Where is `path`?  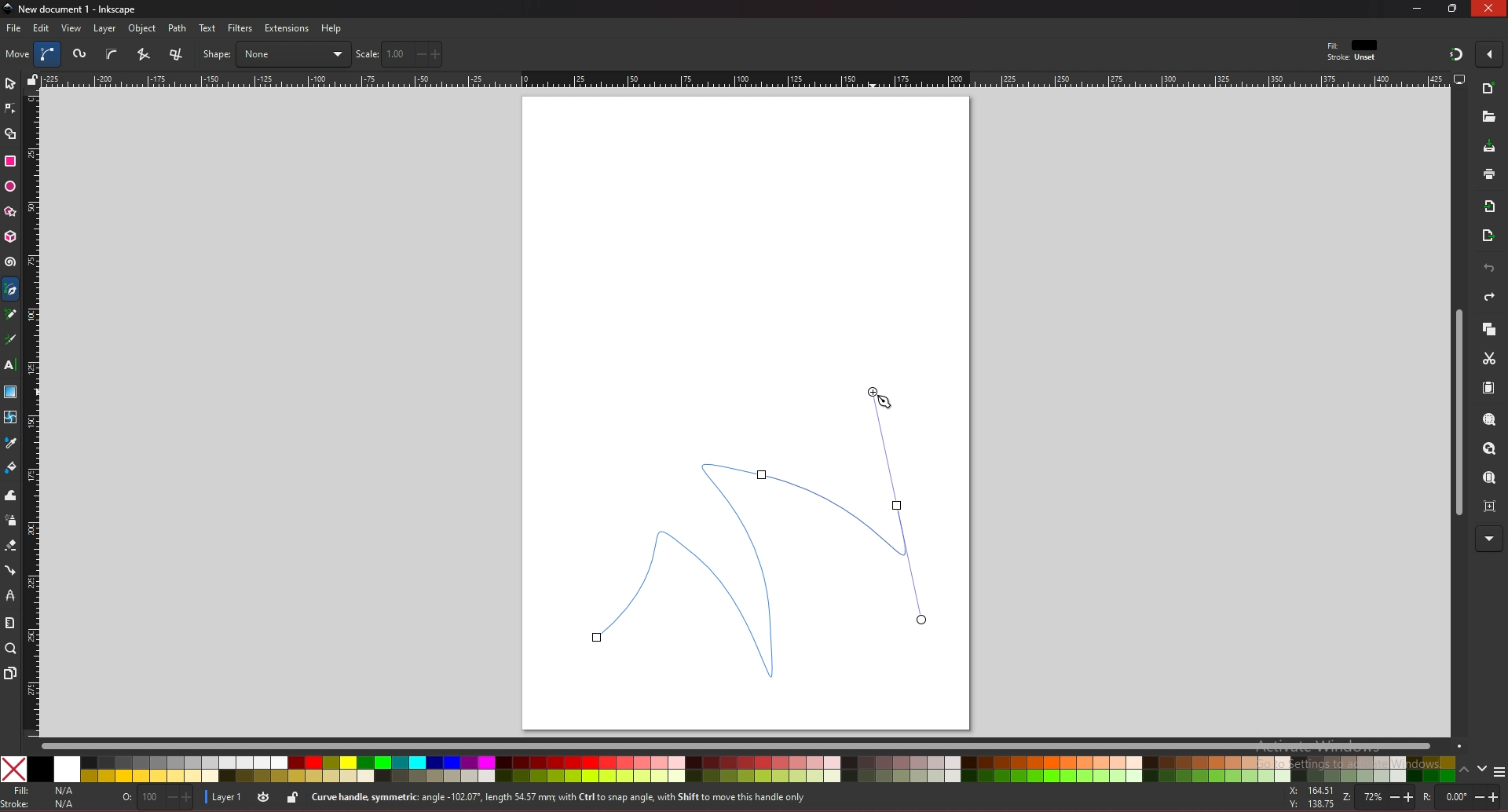
path is located at coordinates (178, 28).